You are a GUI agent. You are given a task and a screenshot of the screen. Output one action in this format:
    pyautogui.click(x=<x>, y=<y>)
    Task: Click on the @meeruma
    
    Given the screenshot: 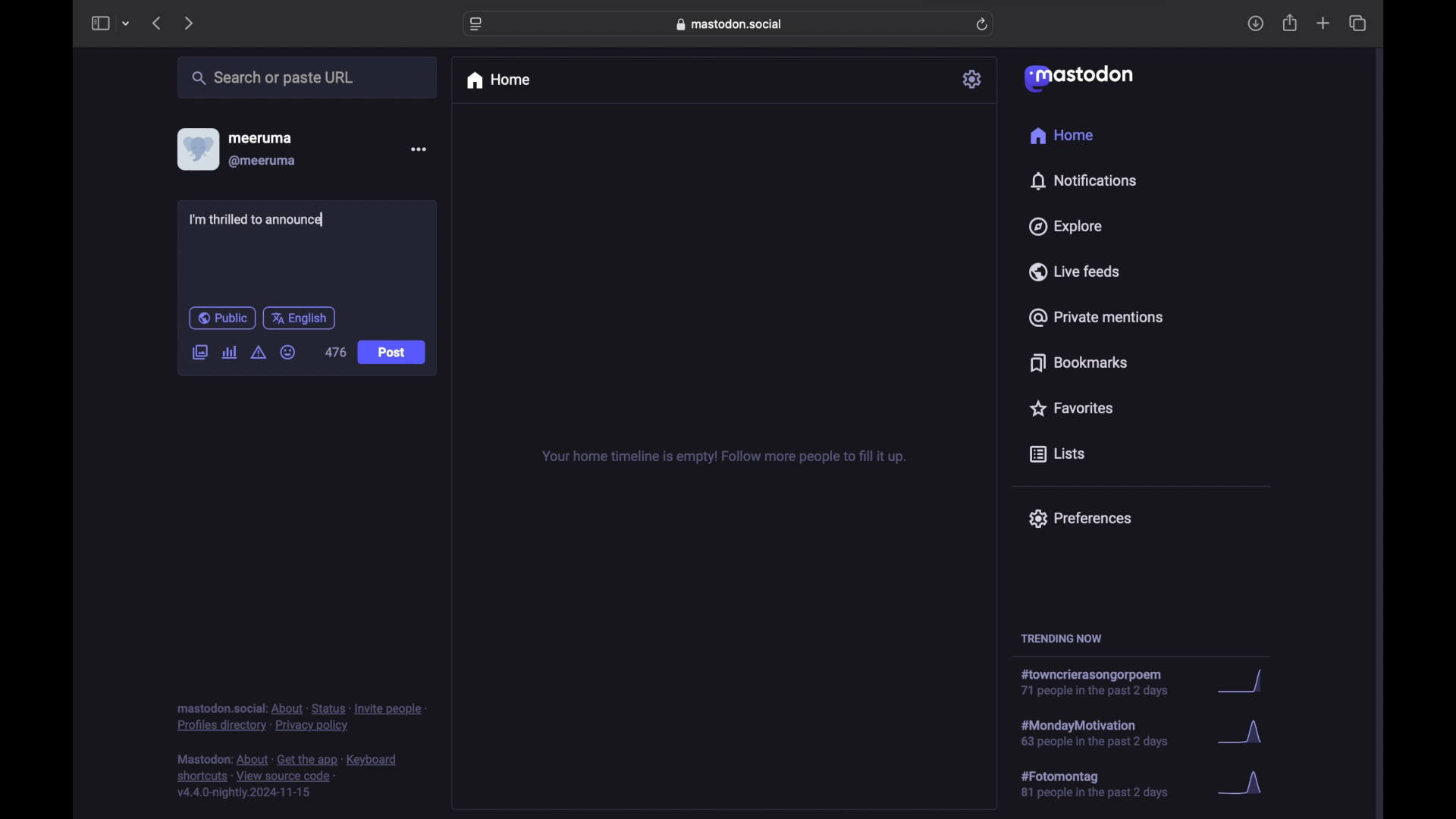 What is the action you would take?
    pyautogui.click(x=264, y=162)
    